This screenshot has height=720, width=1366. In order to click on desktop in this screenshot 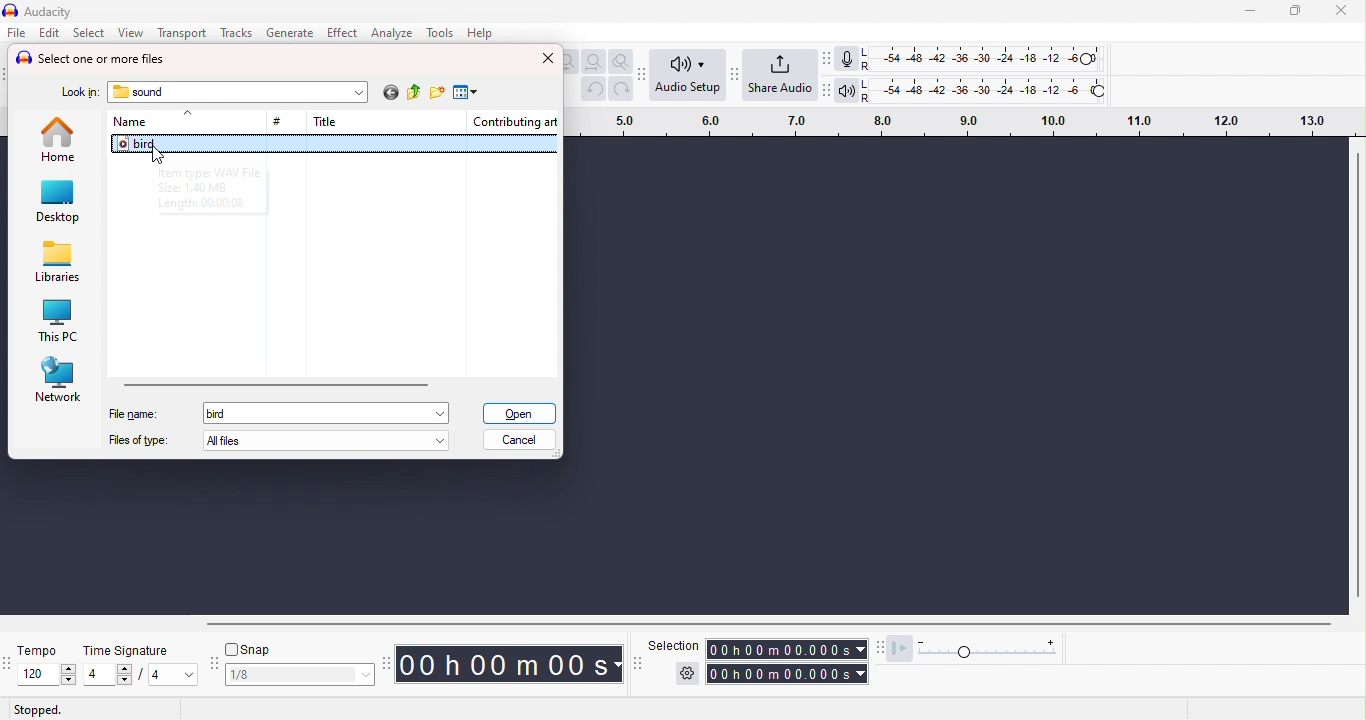, I will do `click(59, 202)`.